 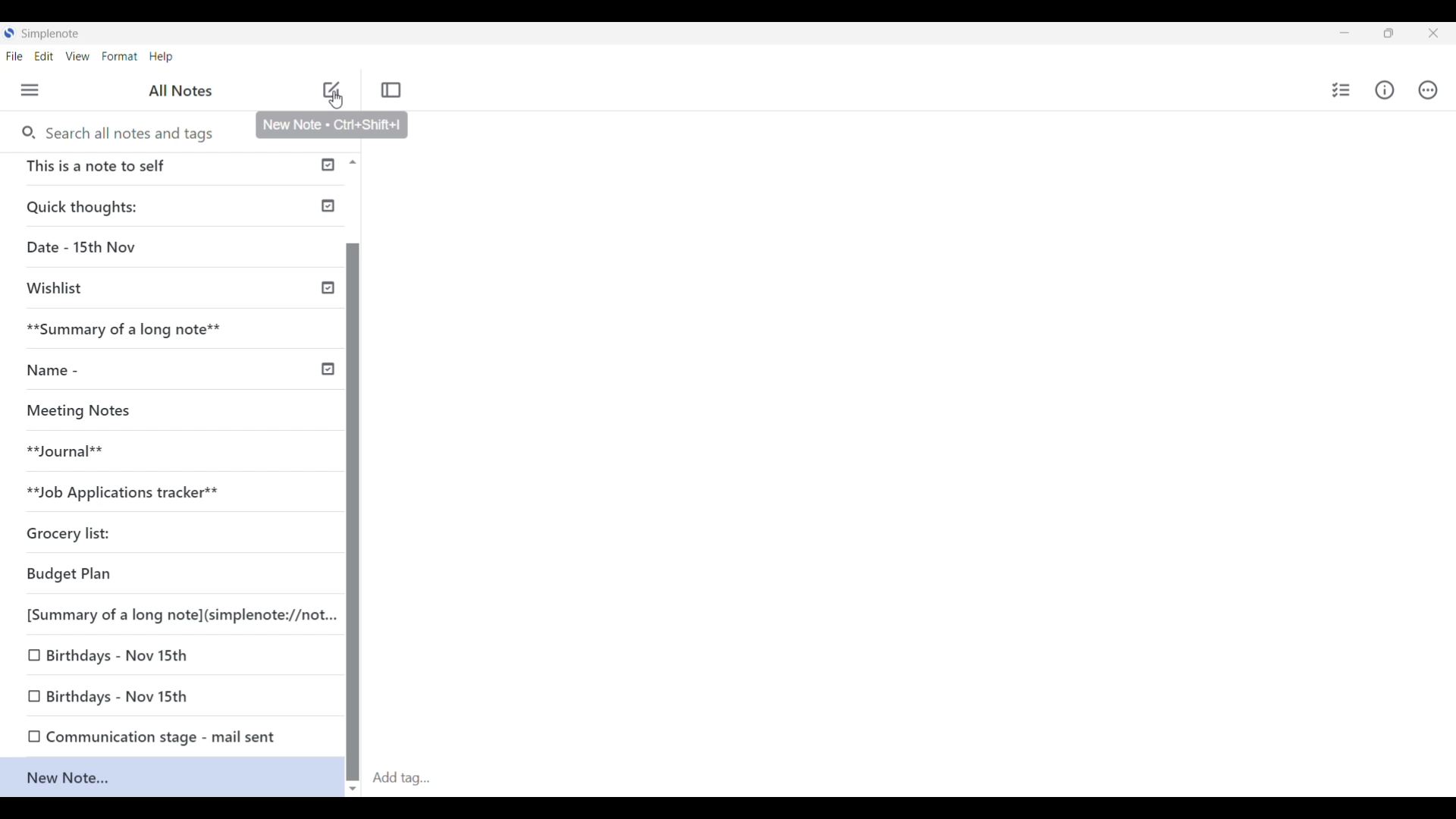 What do you see at coordinates (123, 331) in the screenshot?
I see `**Summary of a long note**` at bounding box center [123, 331].